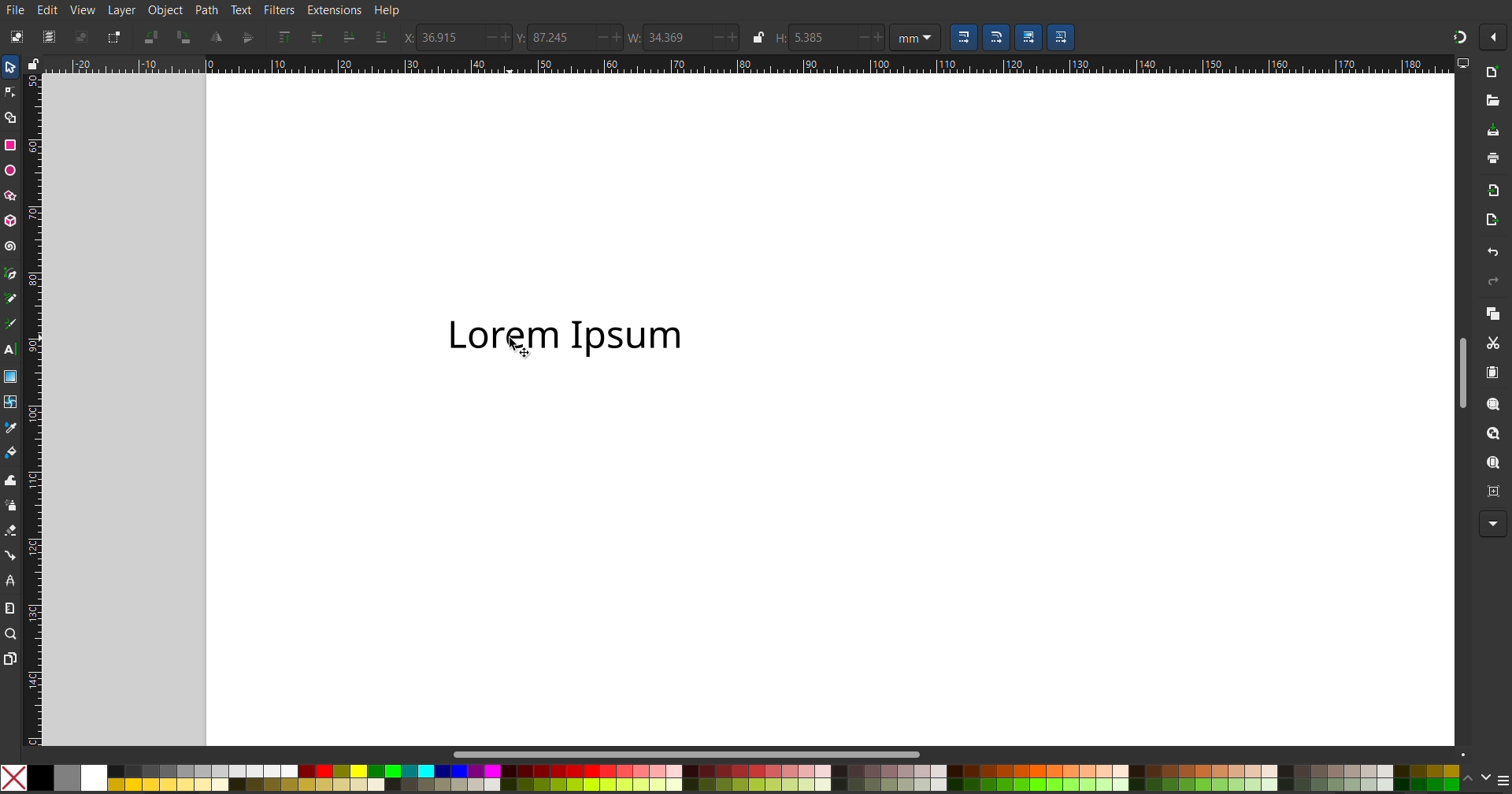 The image size is (1512, 794). Describe the element at coordinates (10, 144) in the screenshot. I see `Rectangle` at that location.